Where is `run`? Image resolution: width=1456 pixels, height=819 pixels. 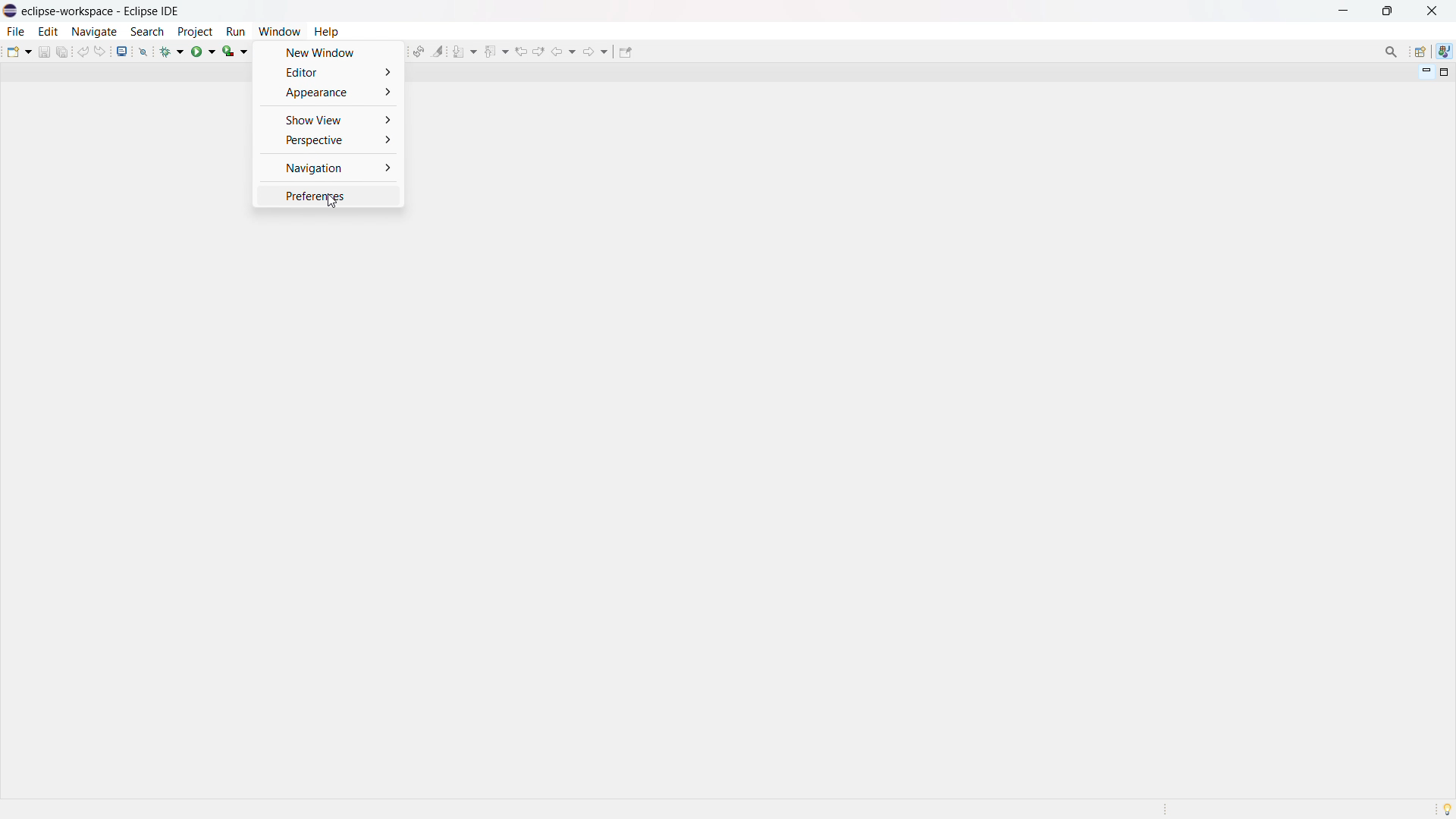 run is located at coordinates (203, 51).